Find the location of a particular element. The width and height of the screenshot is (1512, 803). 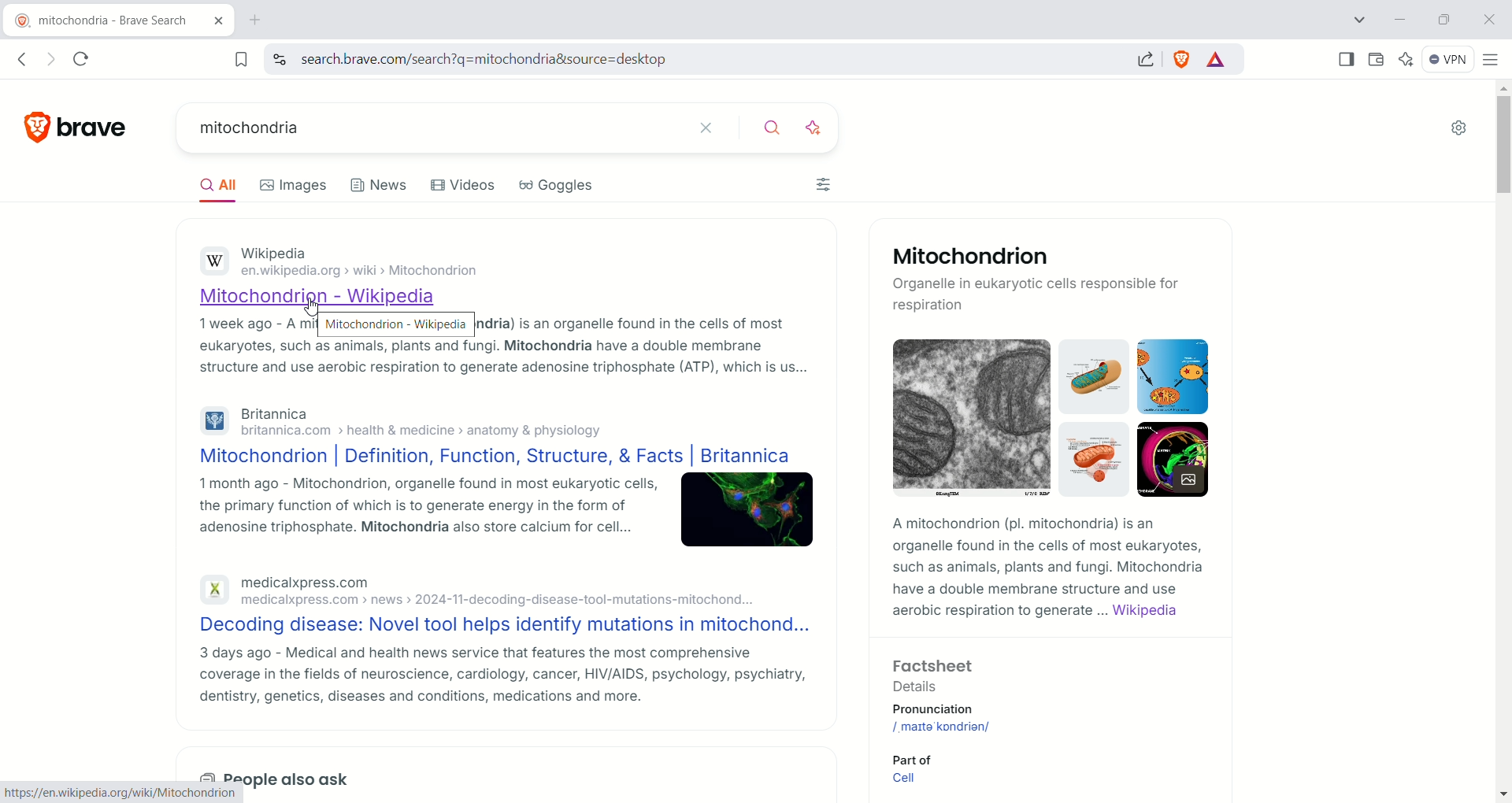

rewards is located at coordinates (1217, 58).